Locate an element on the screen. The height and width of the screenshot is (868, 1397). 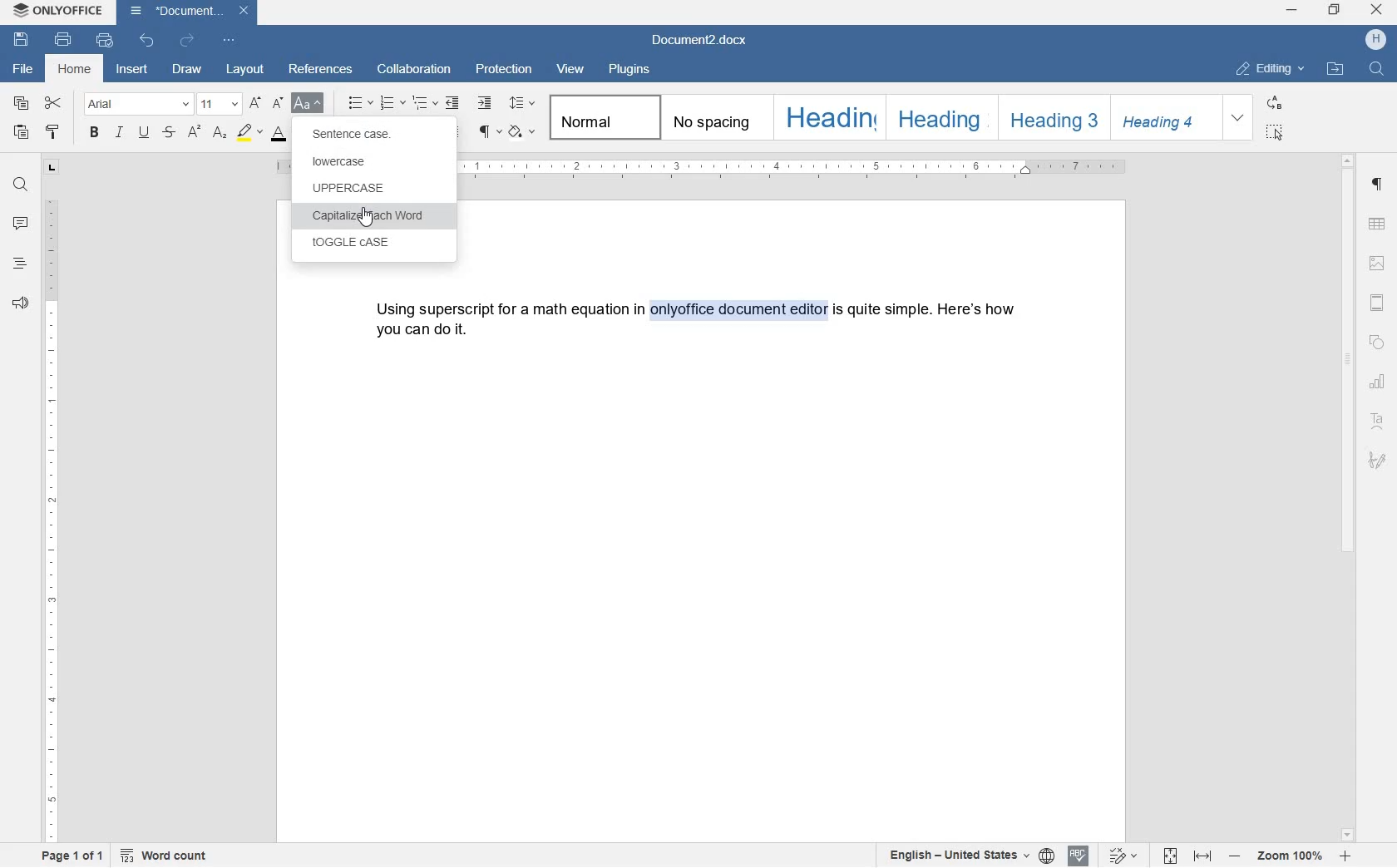
home is located at coordinates (76, 68).